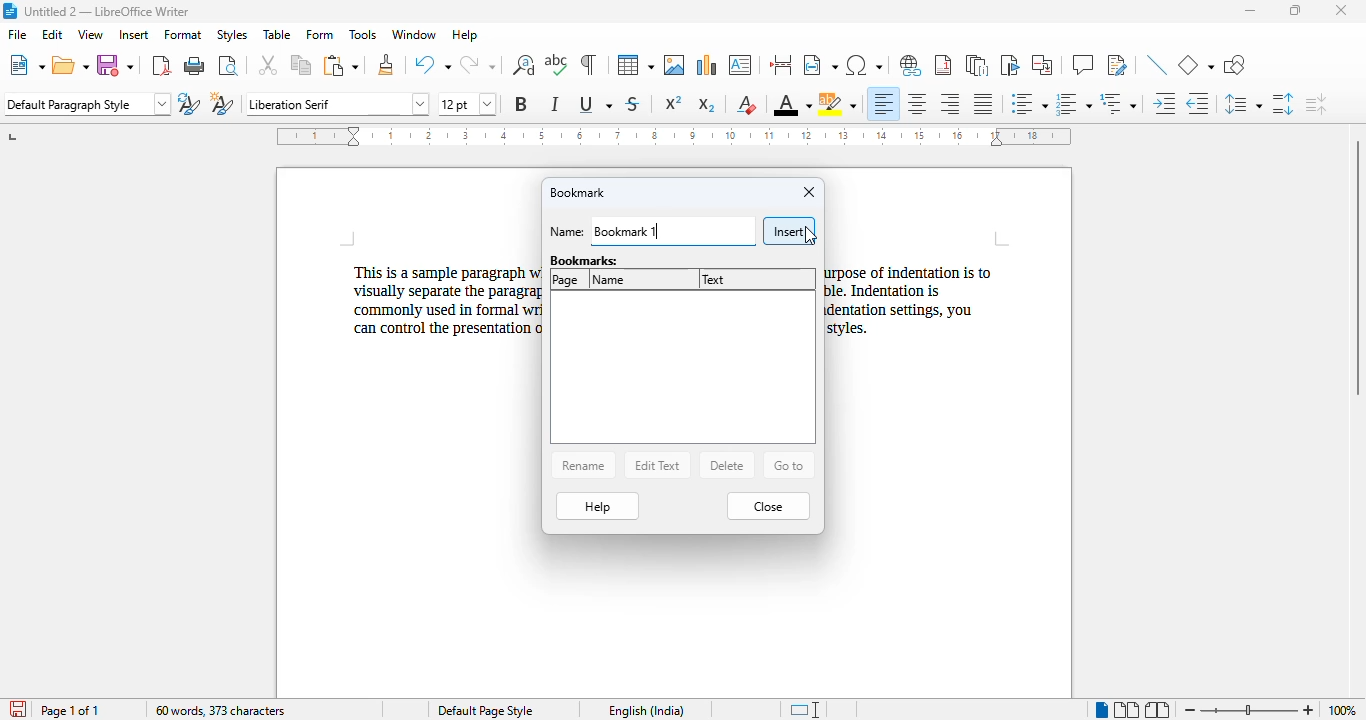 The image size is (1366, 720). Describe the element at coordinates (1316, 104) in the screenshot. I see `decrease paragraph spacing` at that location.